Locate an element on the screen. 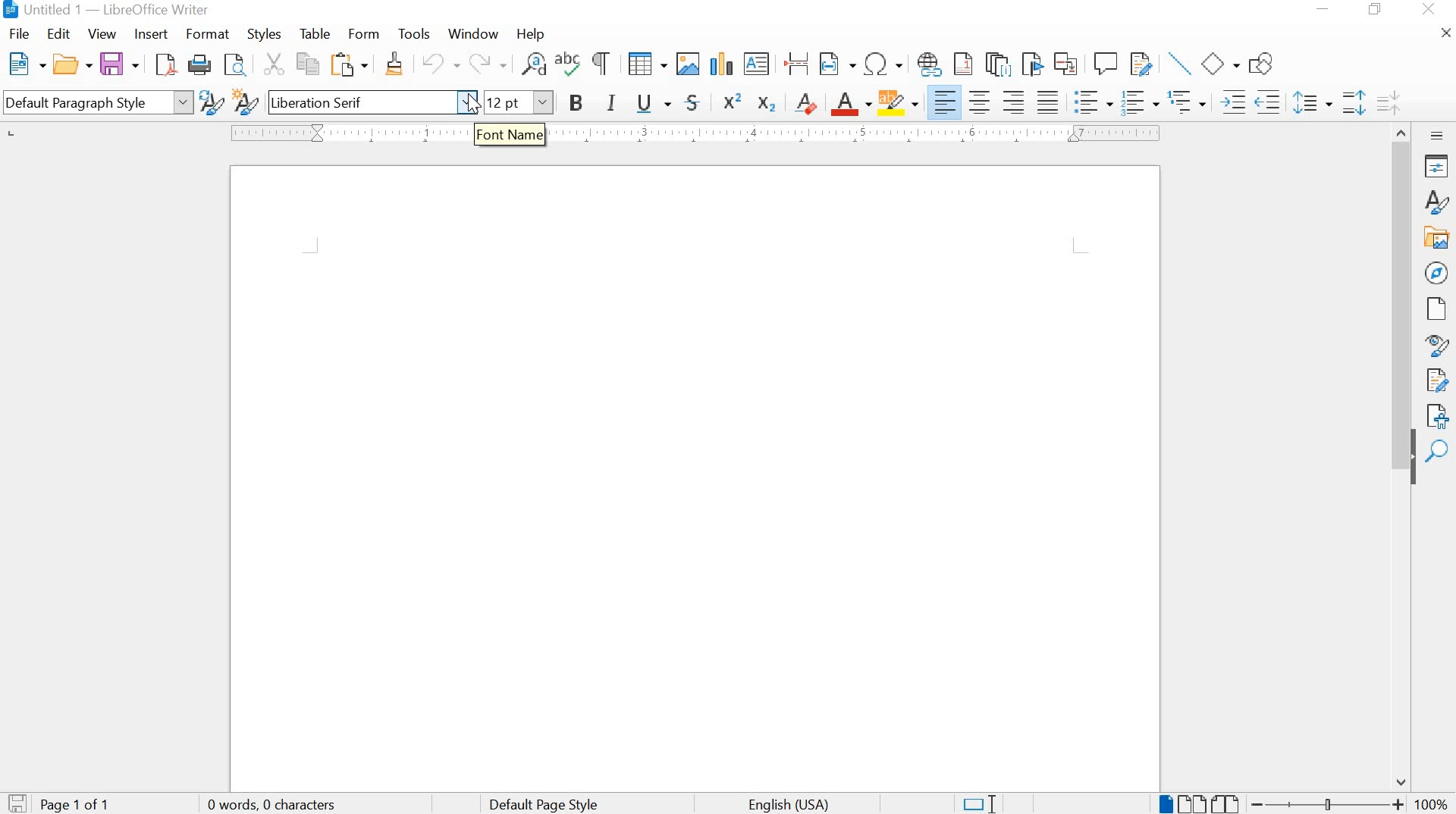 The width and height of the screenshot is (1456, 814). NEW STYLE FROM SELECTION is located at coordinates (246, 101).